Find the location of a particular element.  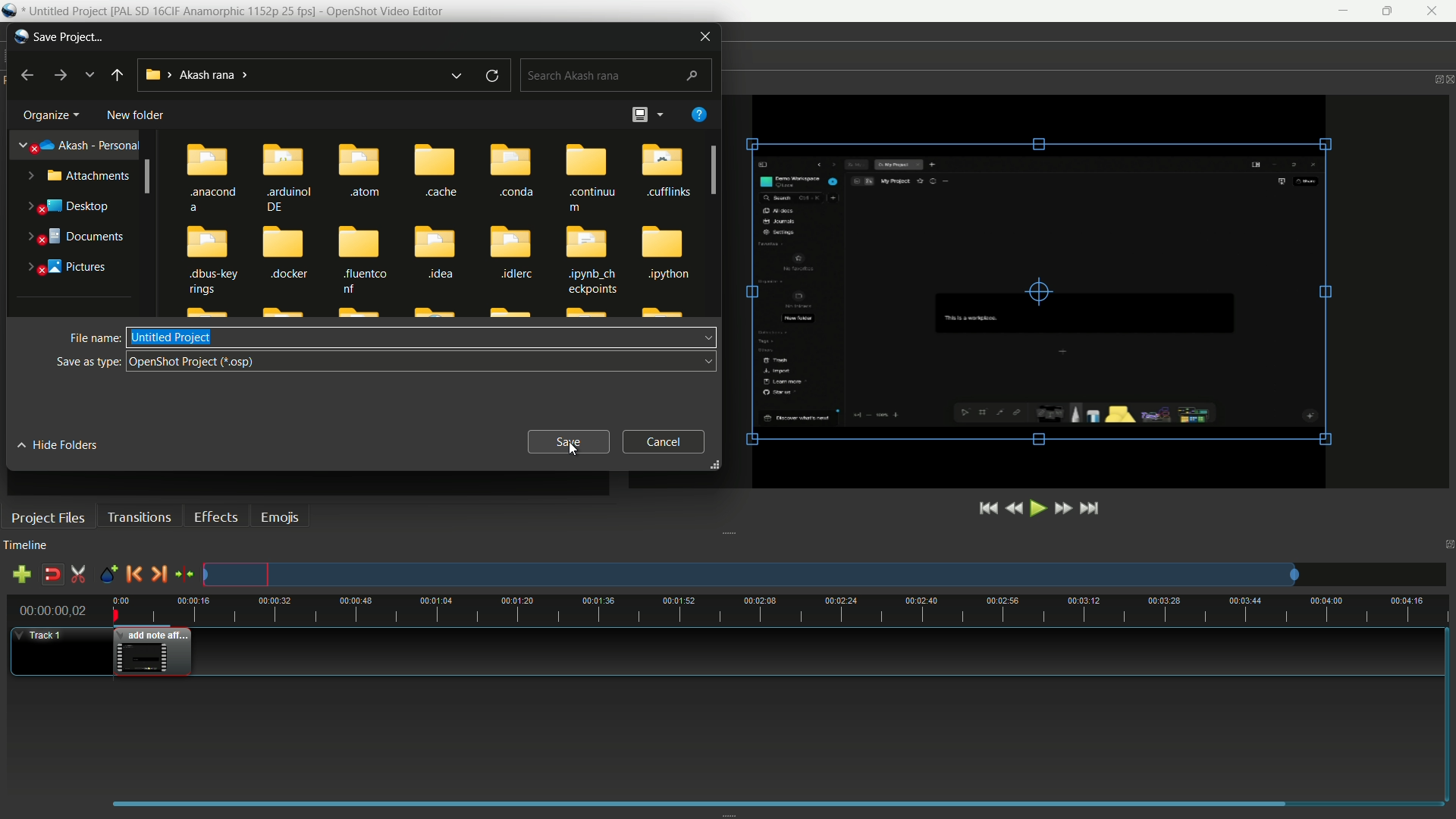

documents is located at coordinates (75, 237).